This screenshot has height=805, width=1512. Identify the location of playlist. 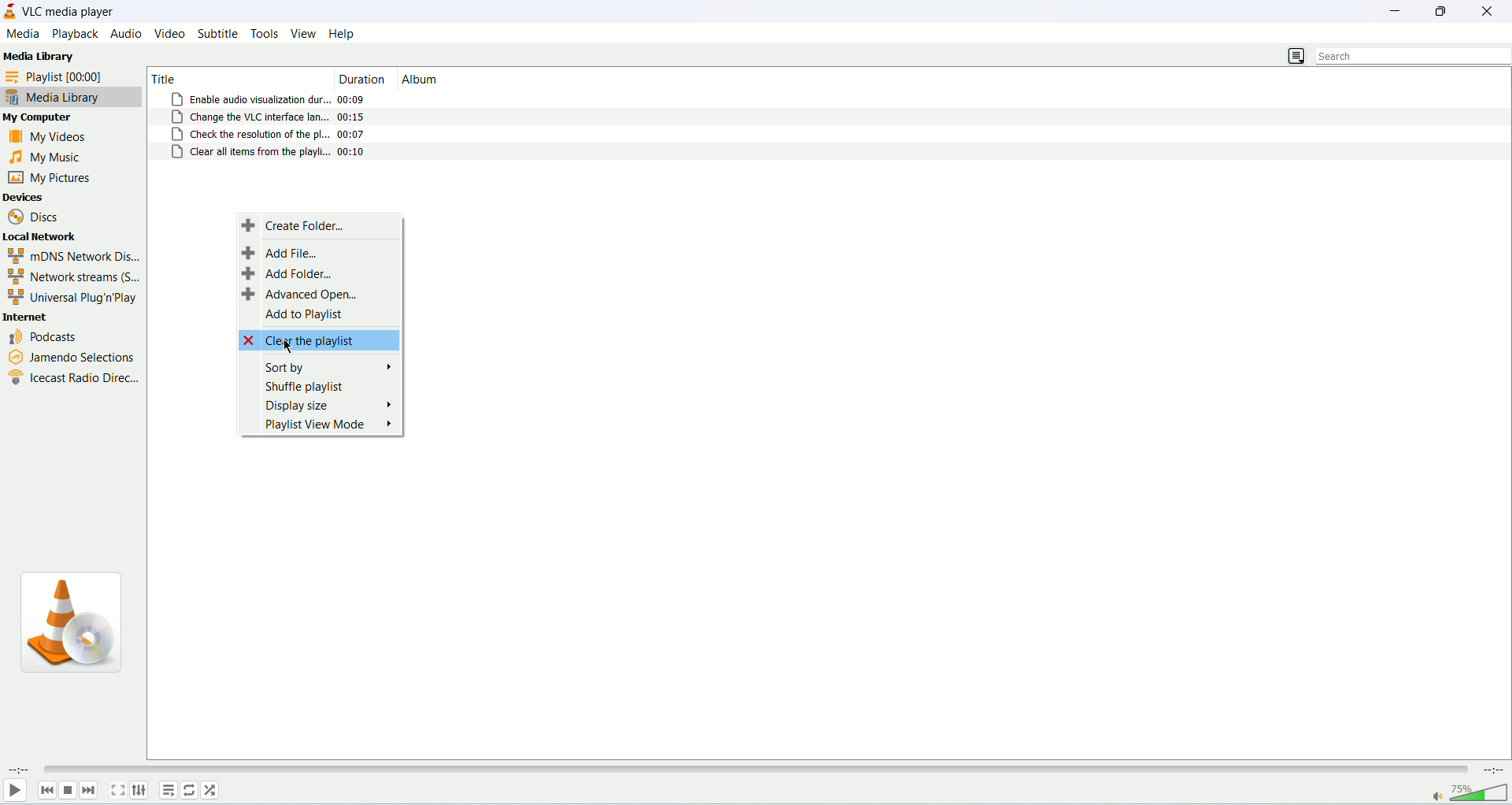
(167, 789).